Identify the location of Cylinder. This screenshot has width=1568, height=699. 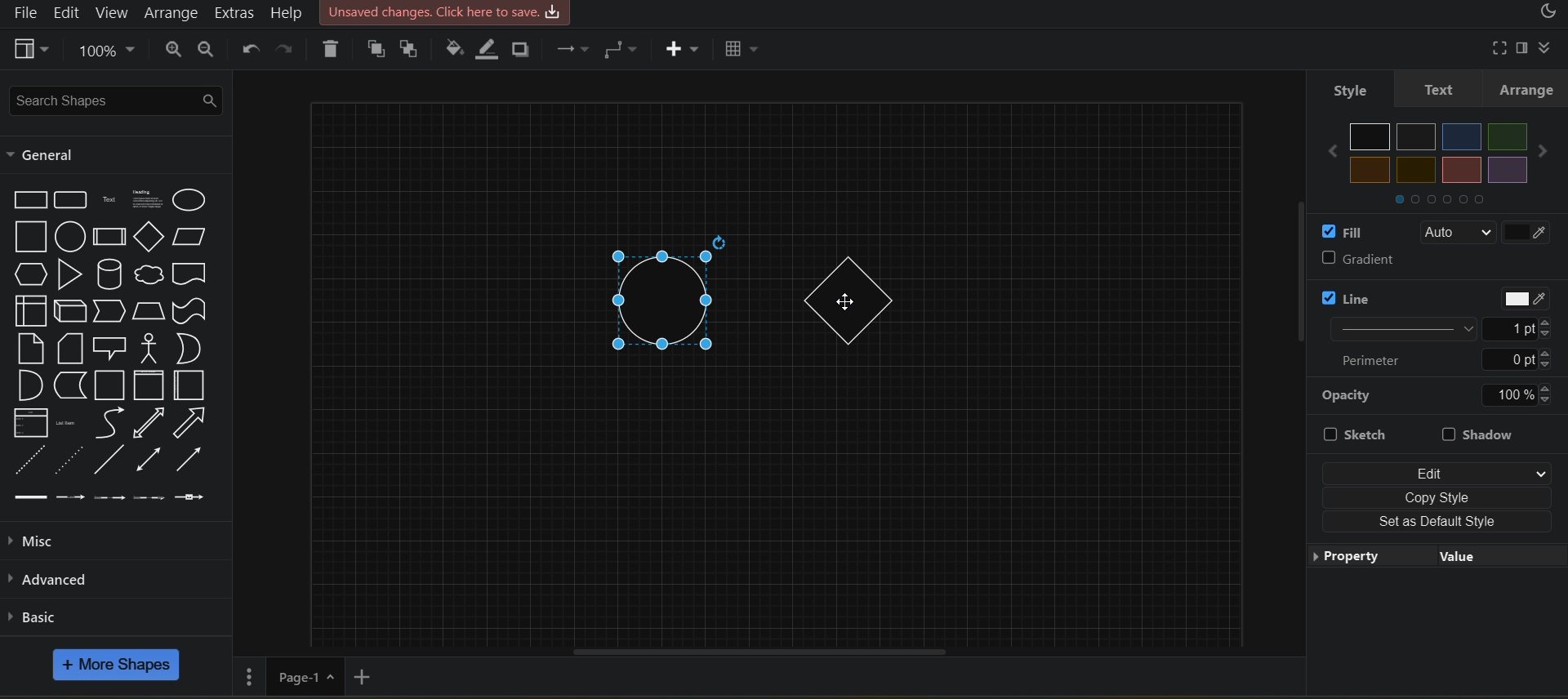
(107, 274).